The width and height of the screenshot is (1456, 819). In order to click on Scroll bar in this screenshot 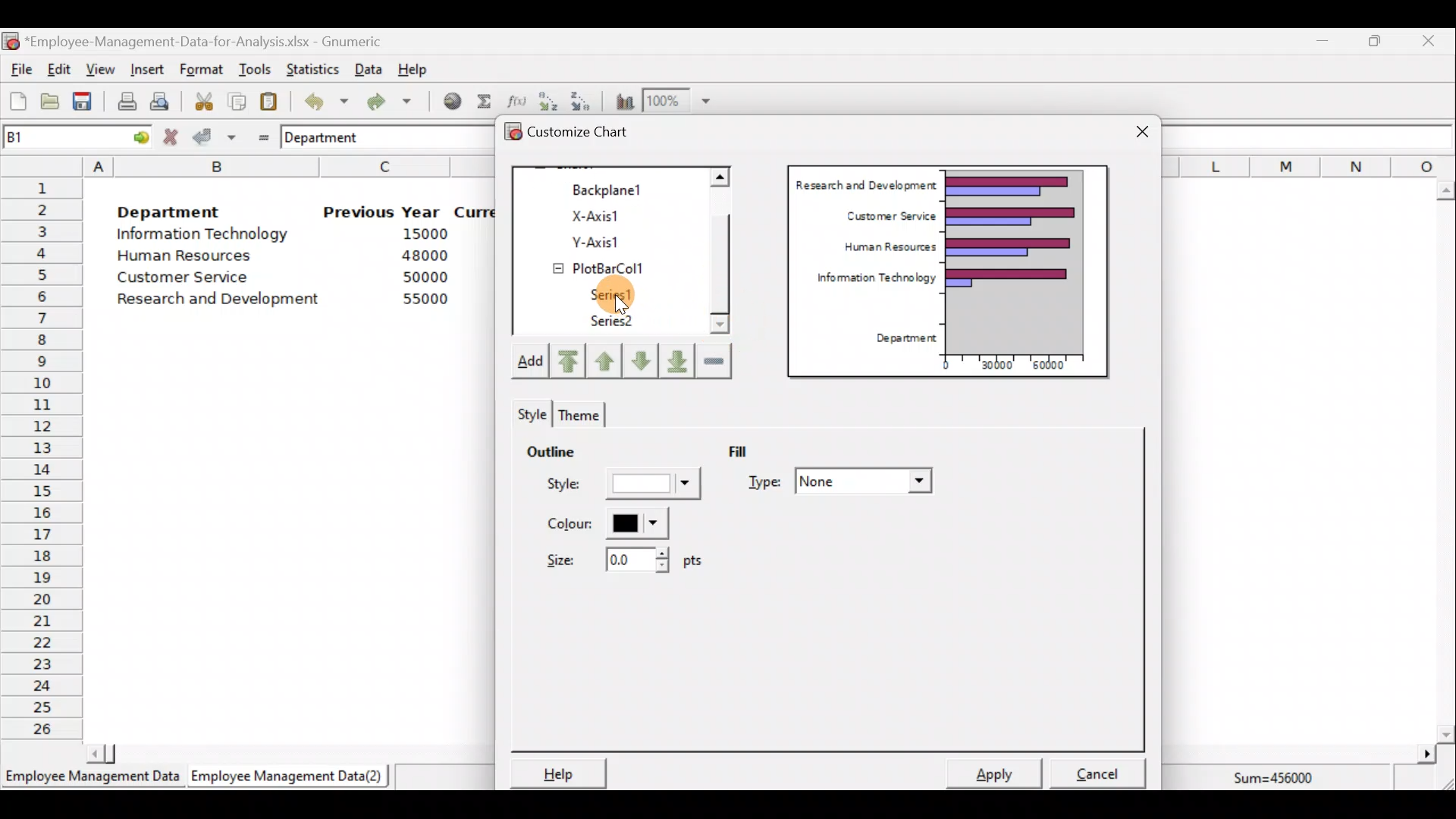, I will do `click(728, 253)`.